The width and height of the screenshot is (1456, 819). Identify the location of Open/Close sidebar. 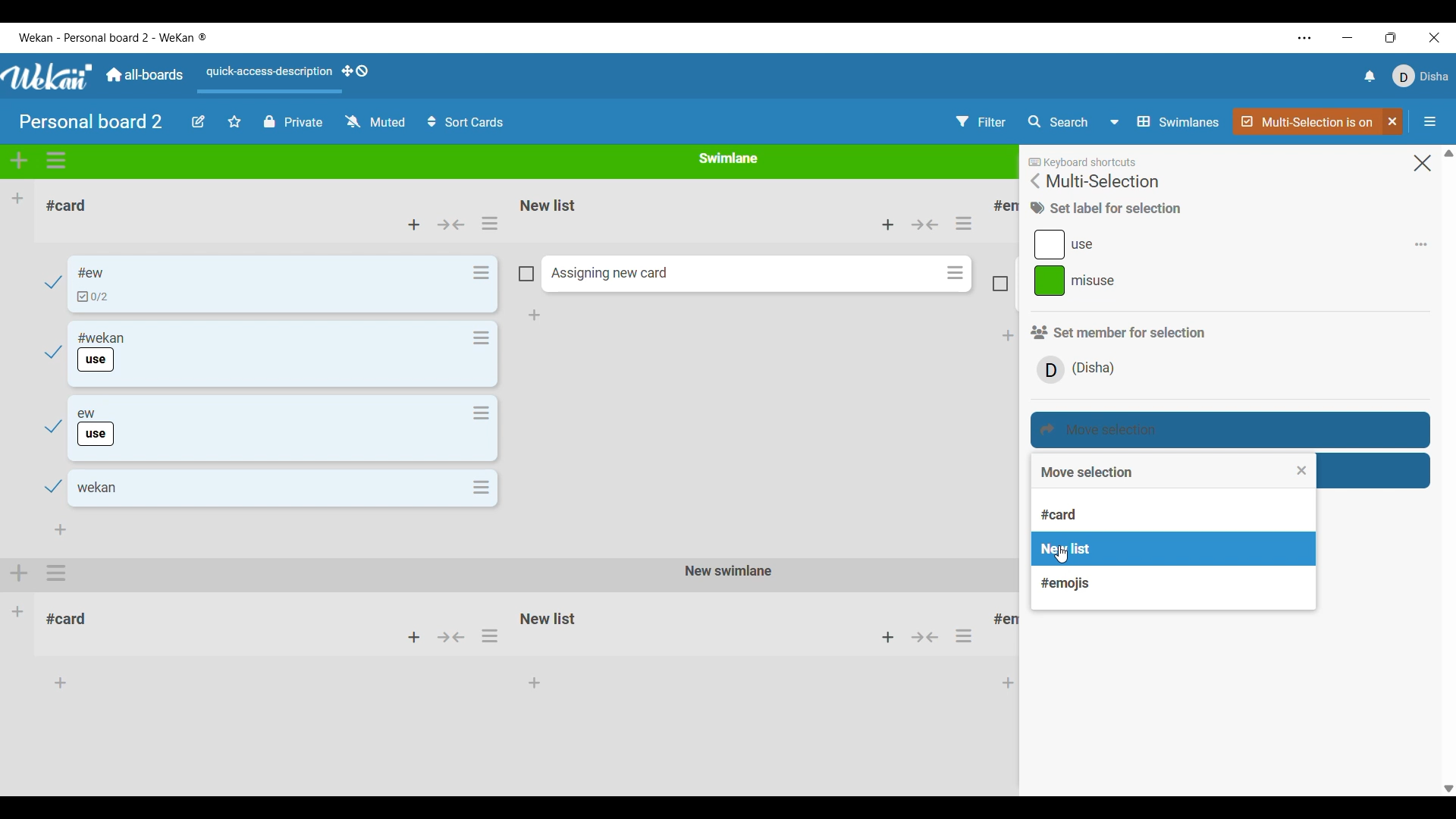
(1430, 121).